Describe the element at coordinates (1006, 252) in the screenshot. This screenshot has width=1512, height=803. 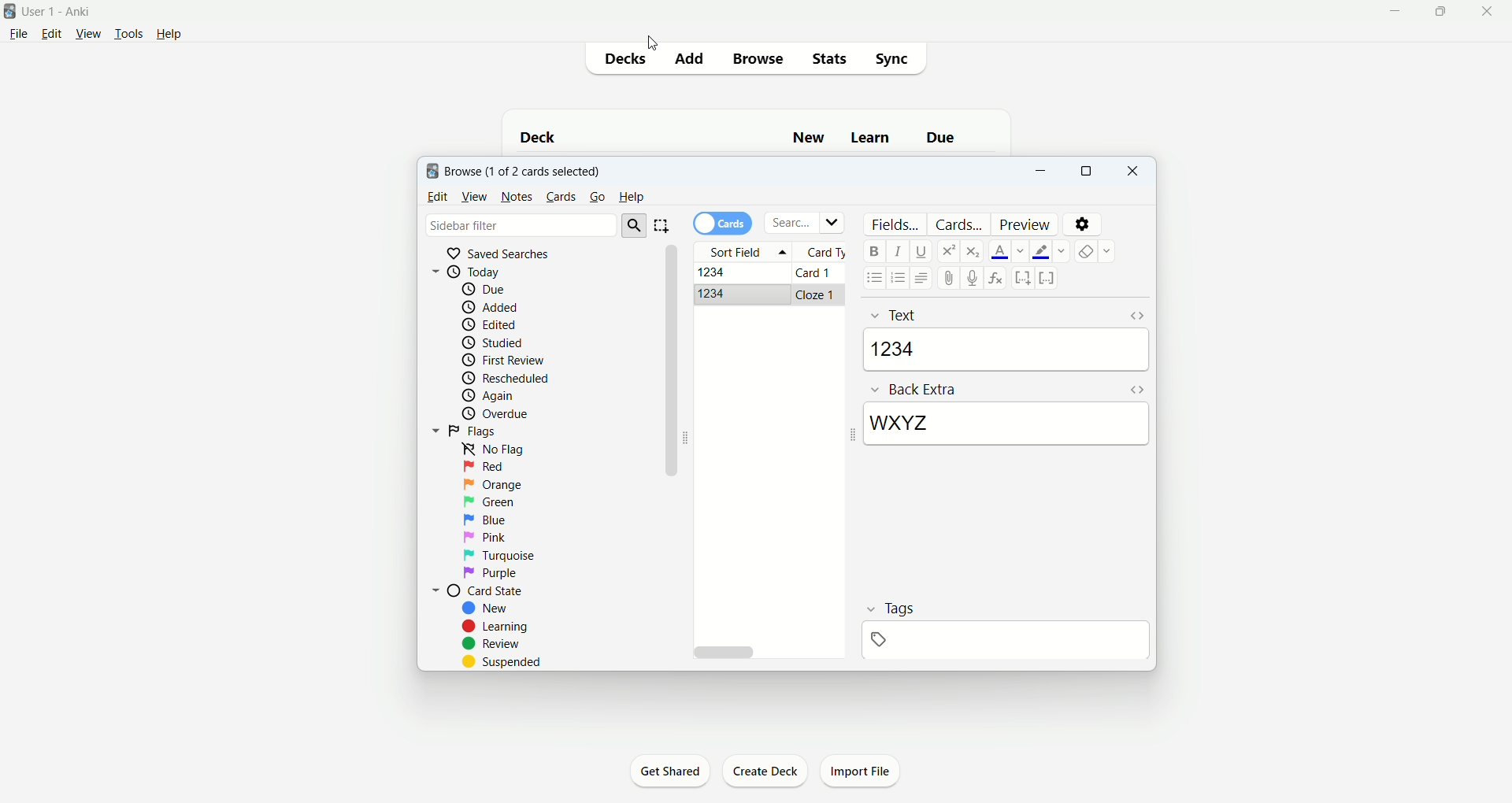
I see `text color` at that location.